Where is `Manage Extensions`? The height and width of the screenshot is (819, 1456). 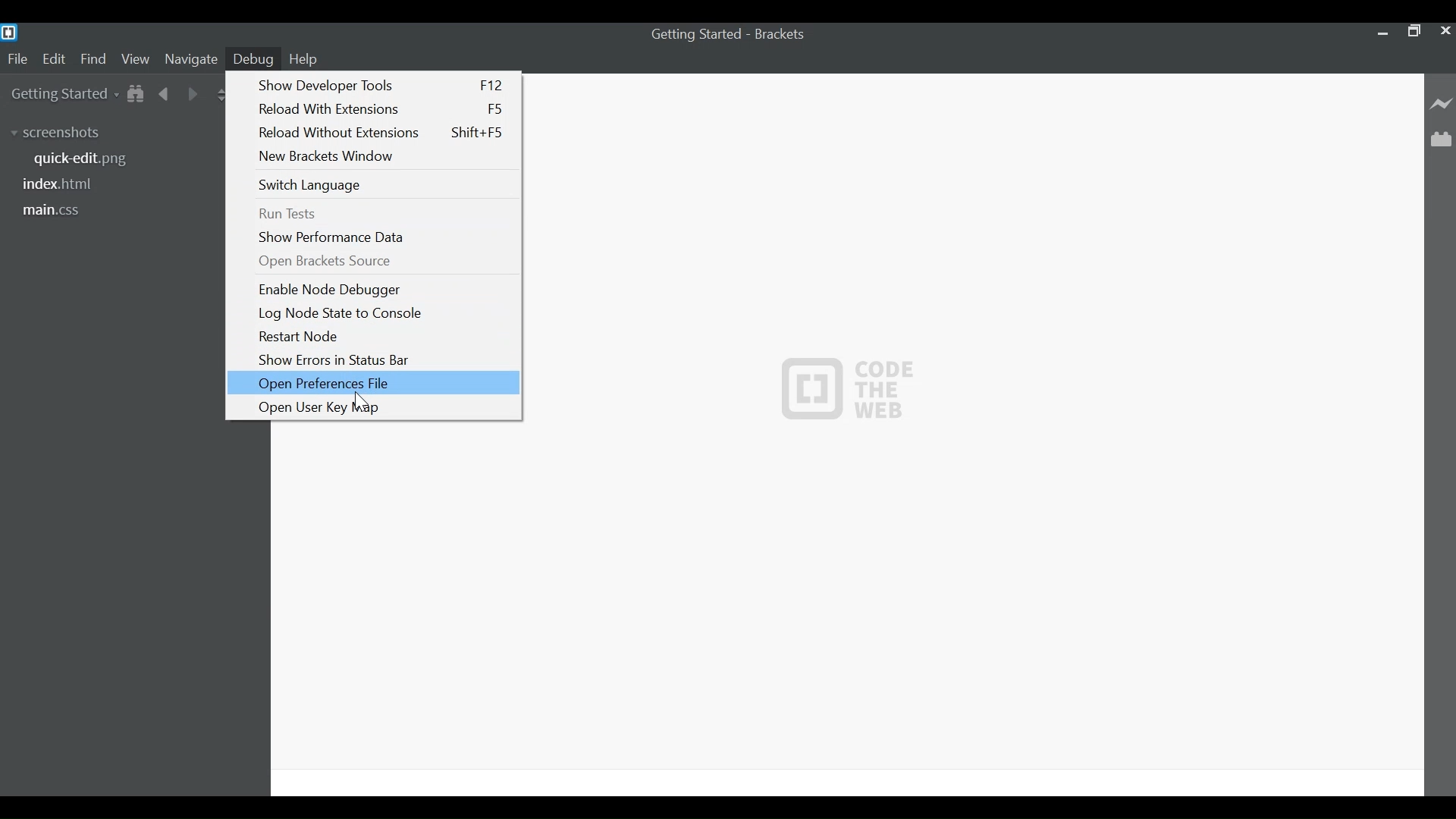 Manage Extensions is located at coordinates (1441, 140).